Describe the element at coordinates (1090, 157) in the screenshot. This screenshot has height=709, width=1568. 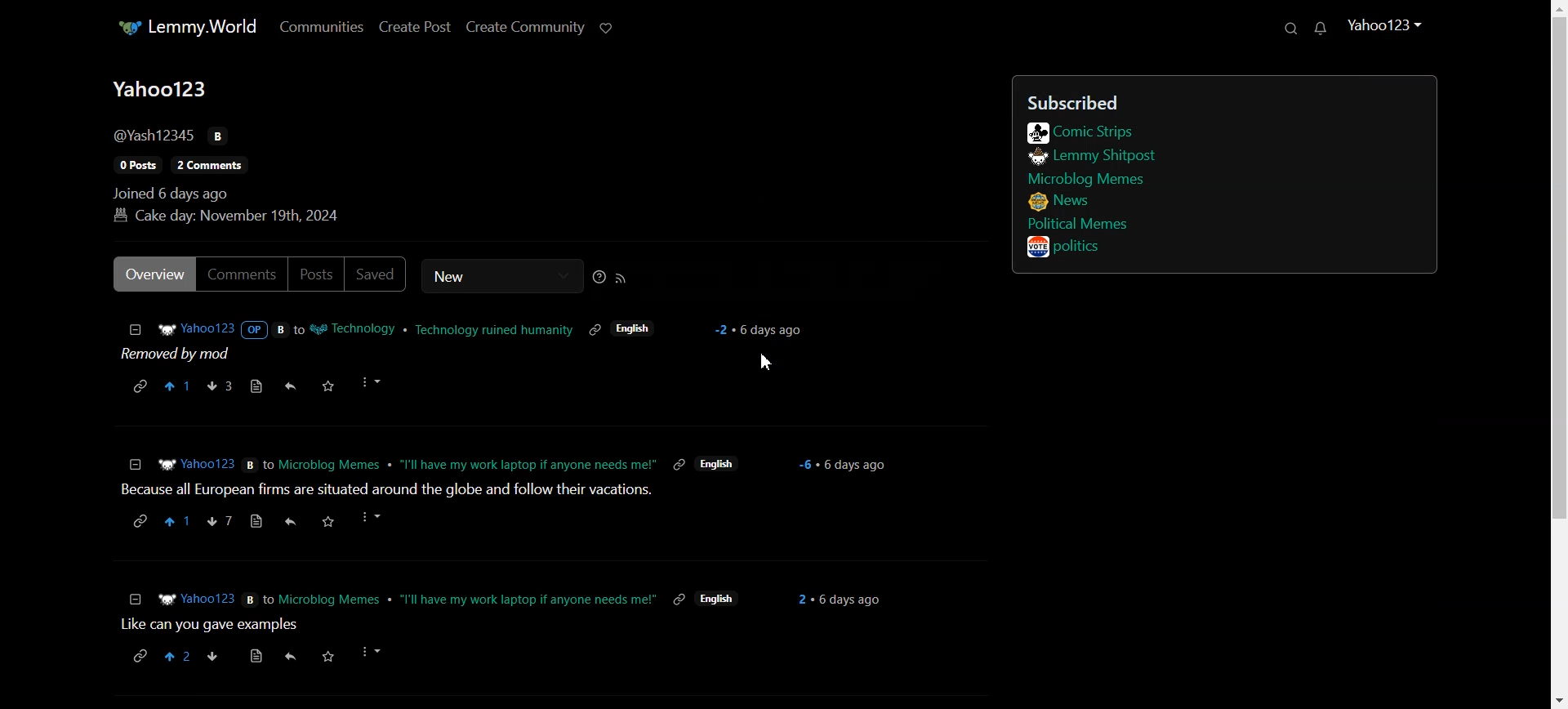
I see `lemmy shitpost` at that location.